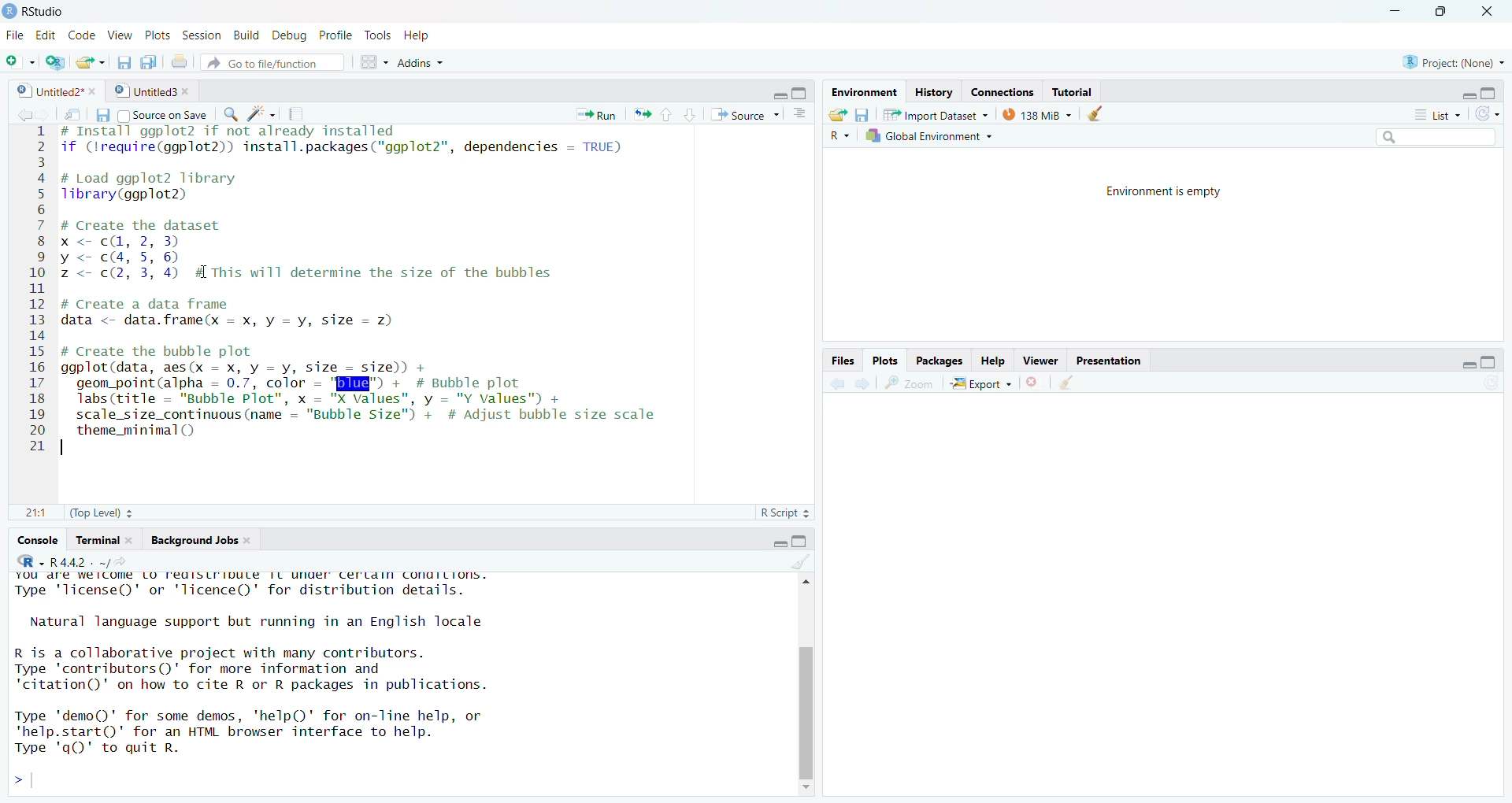  I want to click on Save workspaces, so click(866, 113).